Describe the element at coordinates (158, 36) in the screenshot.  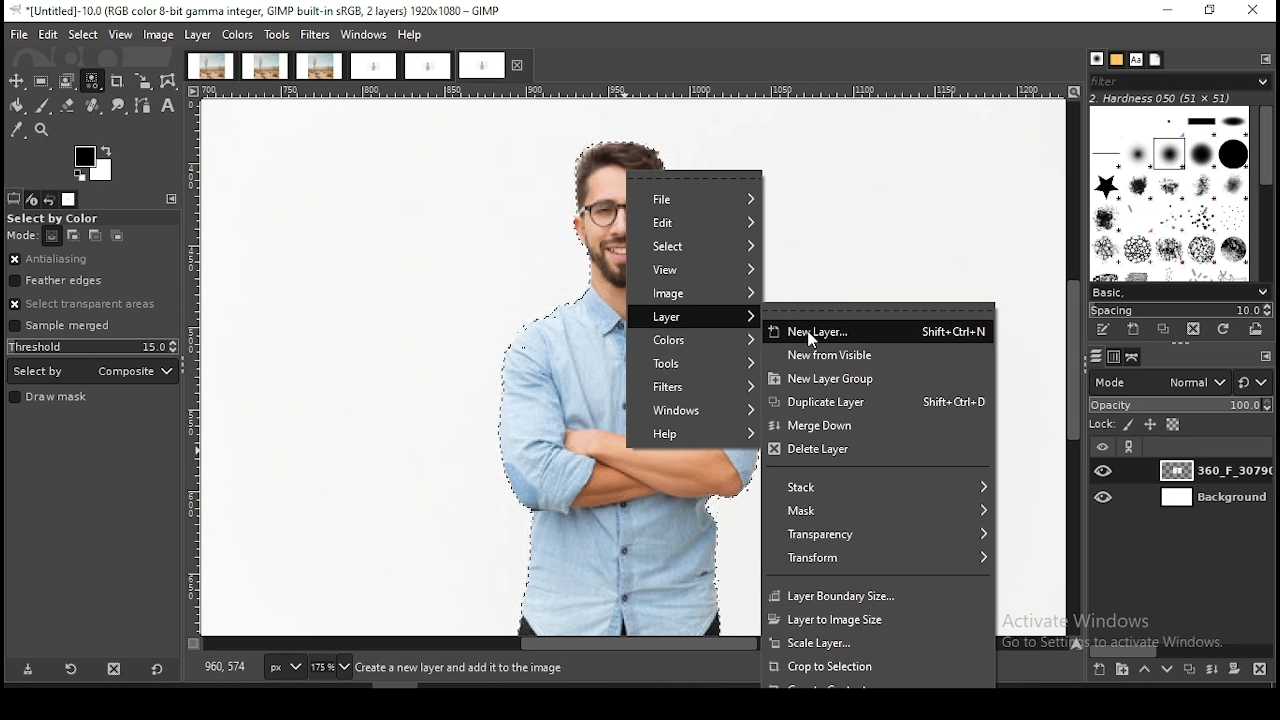
I see `image` at that location.